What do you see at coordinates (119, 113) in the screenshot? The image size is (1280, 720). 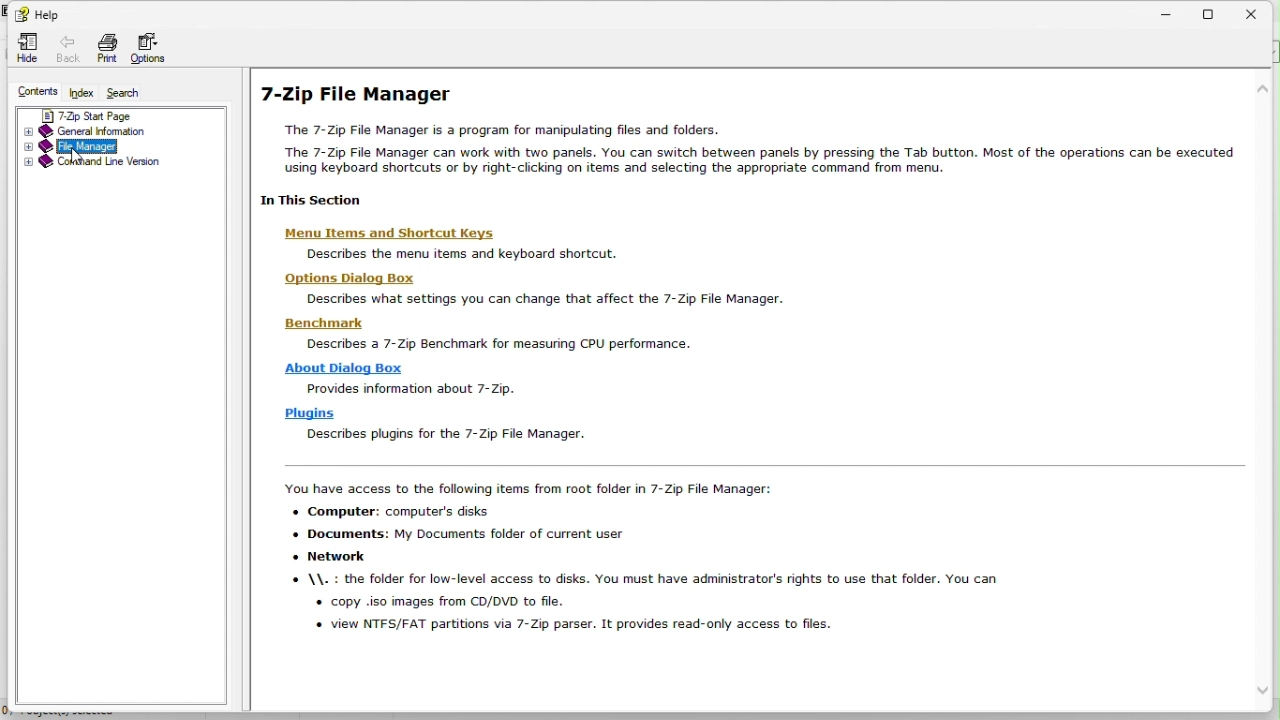 I see `7 zip start page` at bounding box center [119, 113].